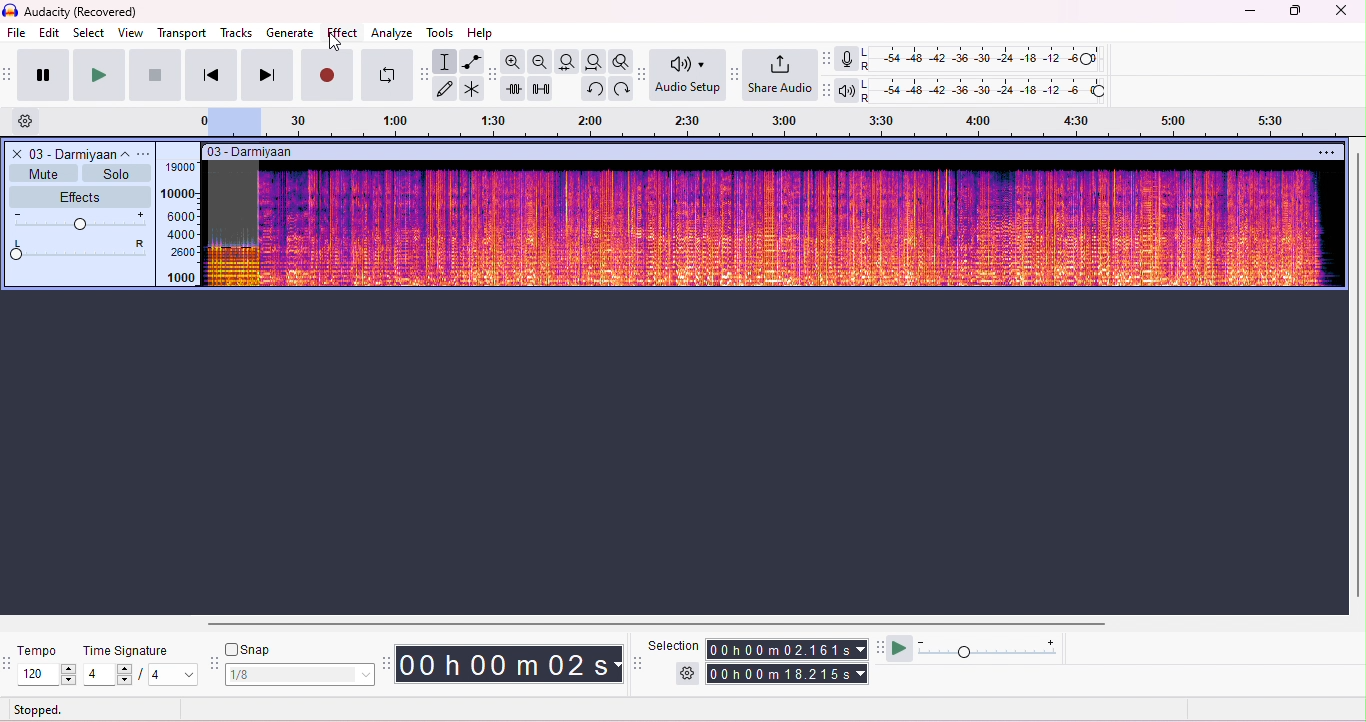 Image resolution: width=1366 pixels, height=722 pixels. What do you see at coordinates (31, 122) in the screenshot?
I see `settings` at bounding box center [31, 122].